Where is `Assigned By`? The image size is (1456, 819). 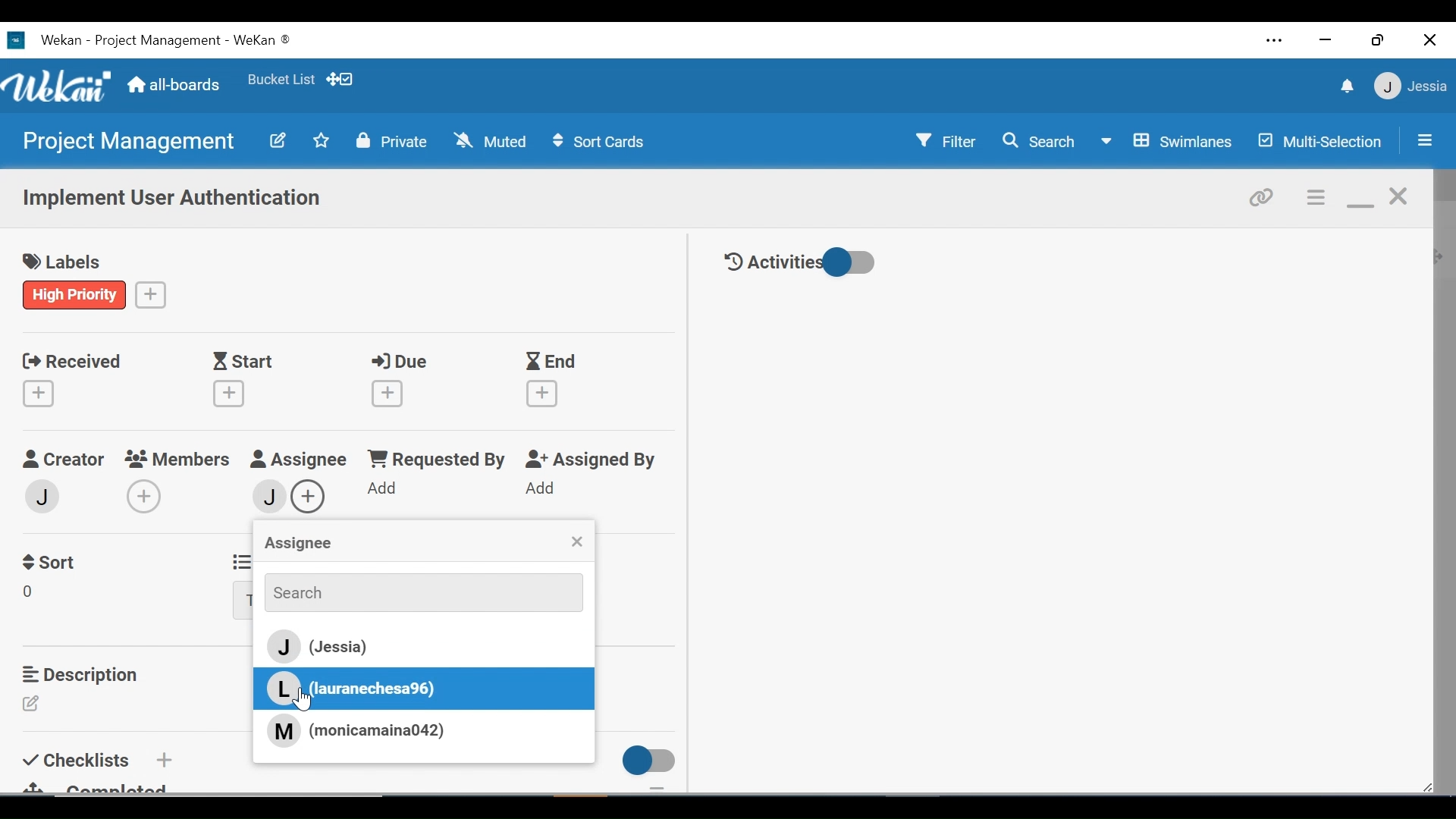
Assigned By is located at coordinates (595, 460).